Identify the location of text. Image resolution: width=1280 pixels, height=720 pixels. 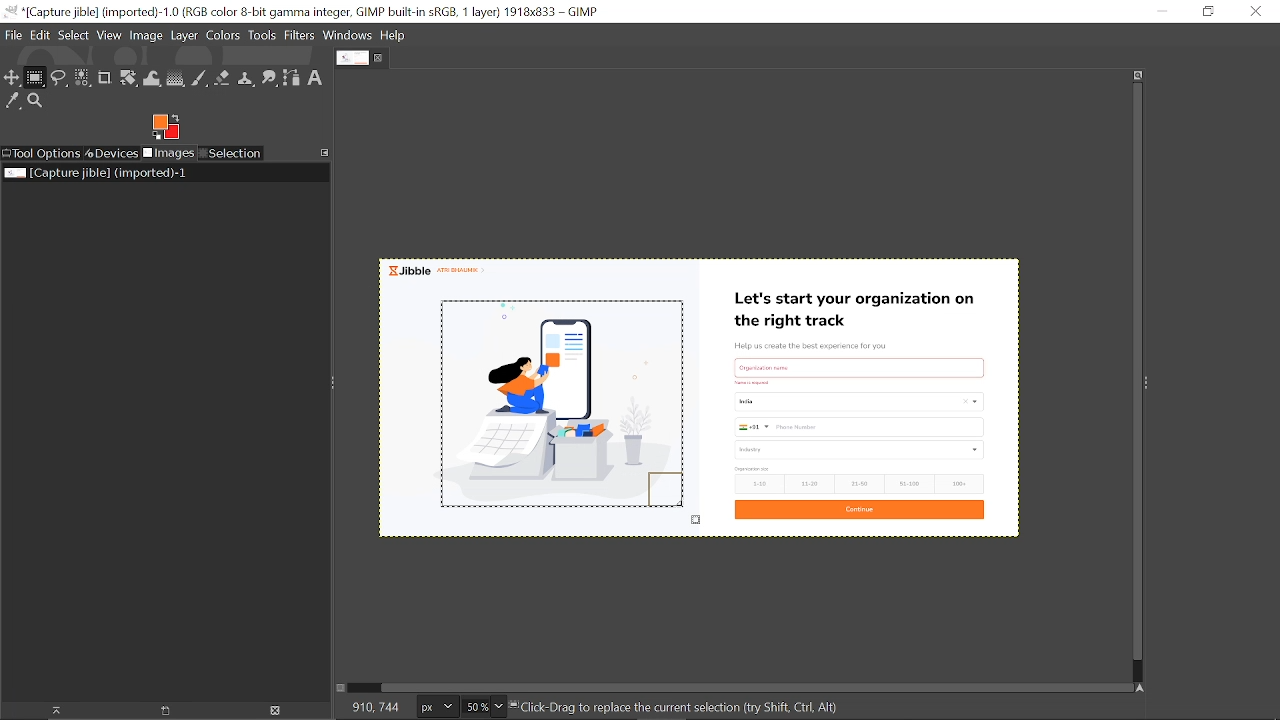
(860, 365).